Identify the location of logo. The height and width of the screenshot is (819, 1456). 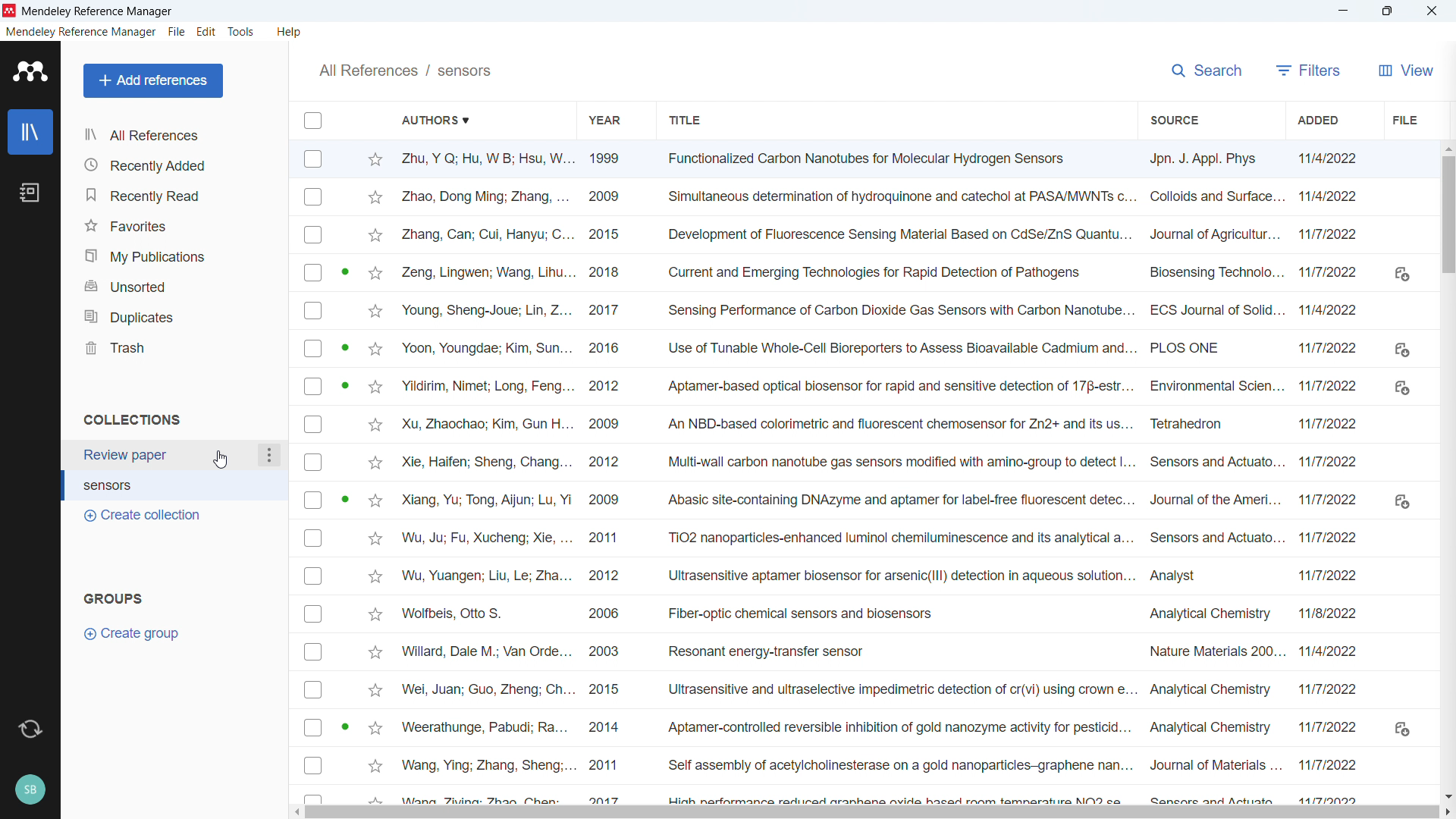
(10, 11).